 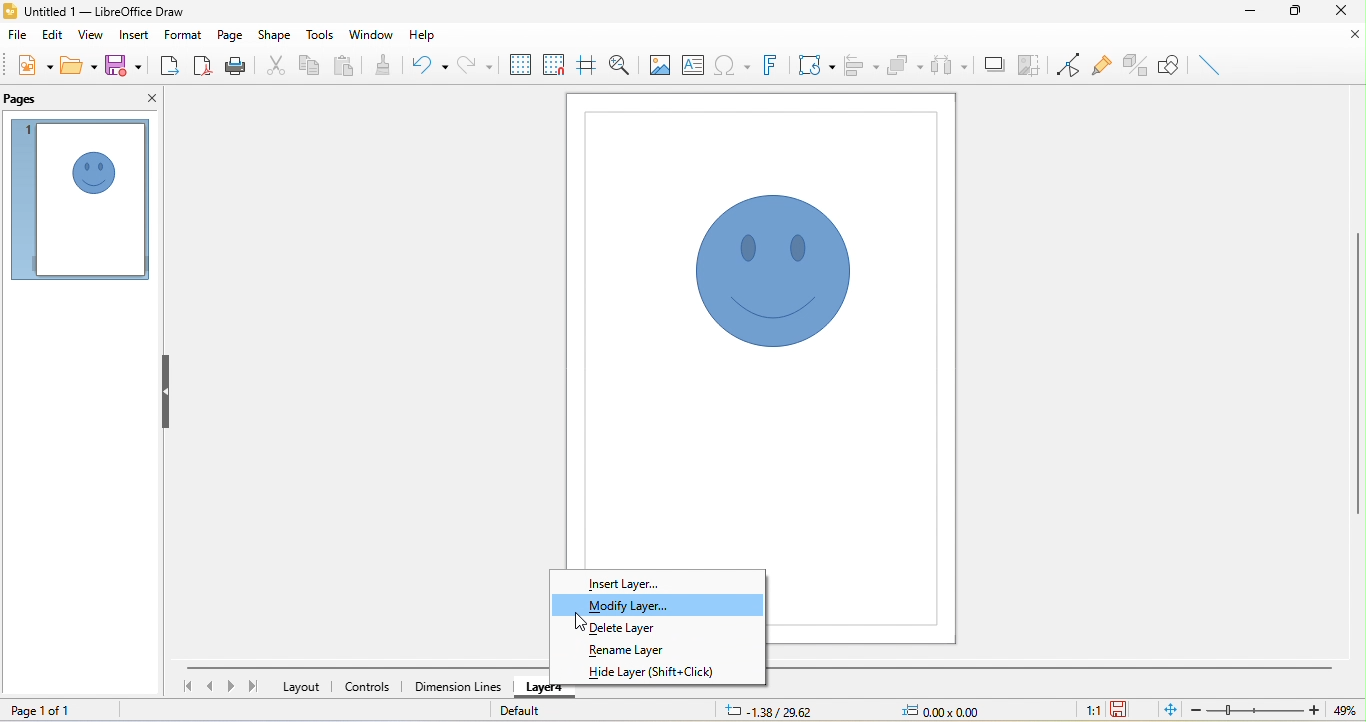 I want to click on 49%, so click(x=1344, y=710).